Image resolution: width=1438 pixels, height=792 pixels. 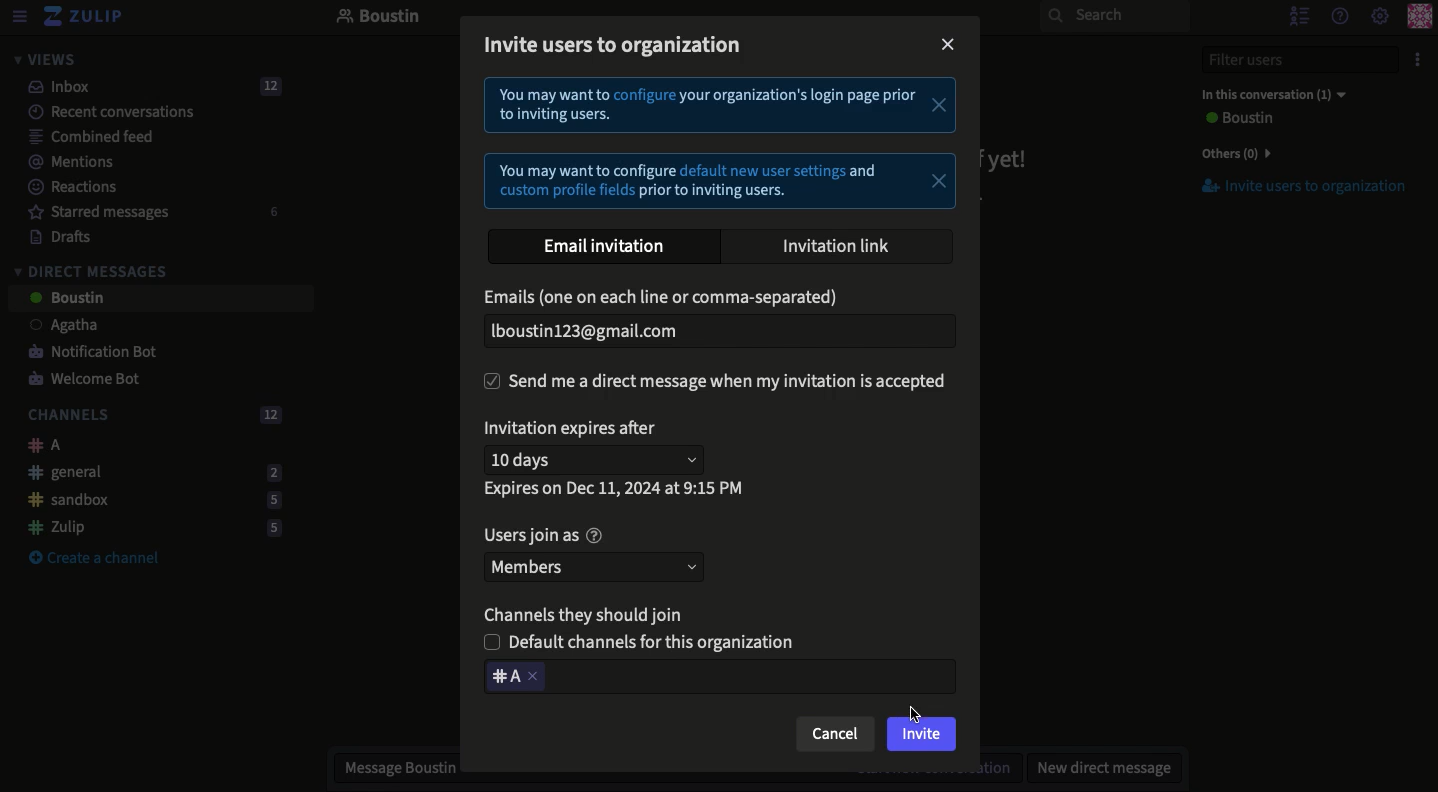 What do you see at coordinates (618, 44) in the screenshot?
I see `Invite users to organization` at bounding box center [618, 44].